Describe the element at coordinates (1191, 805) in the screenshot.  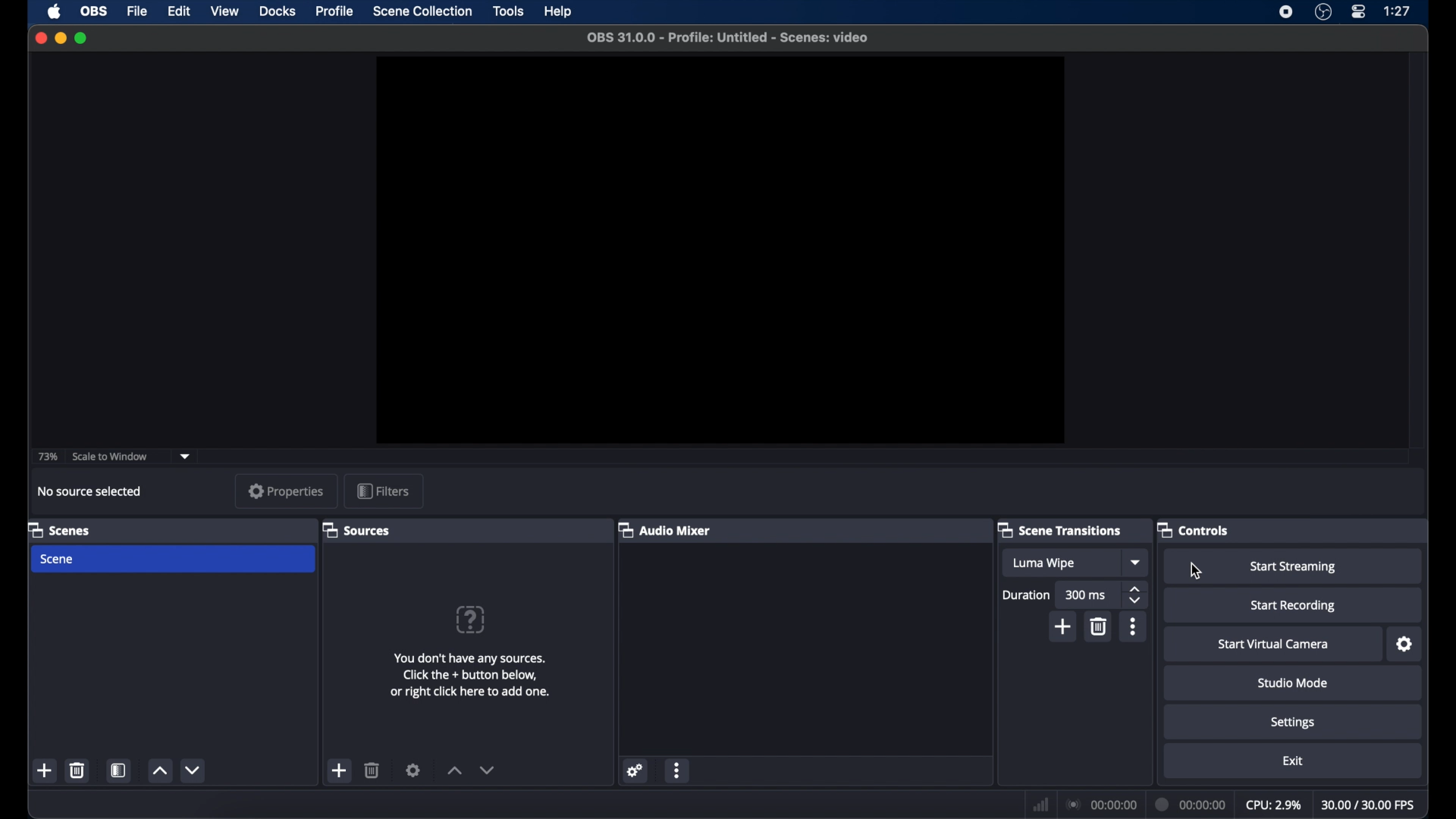
I see `duration` at that location.